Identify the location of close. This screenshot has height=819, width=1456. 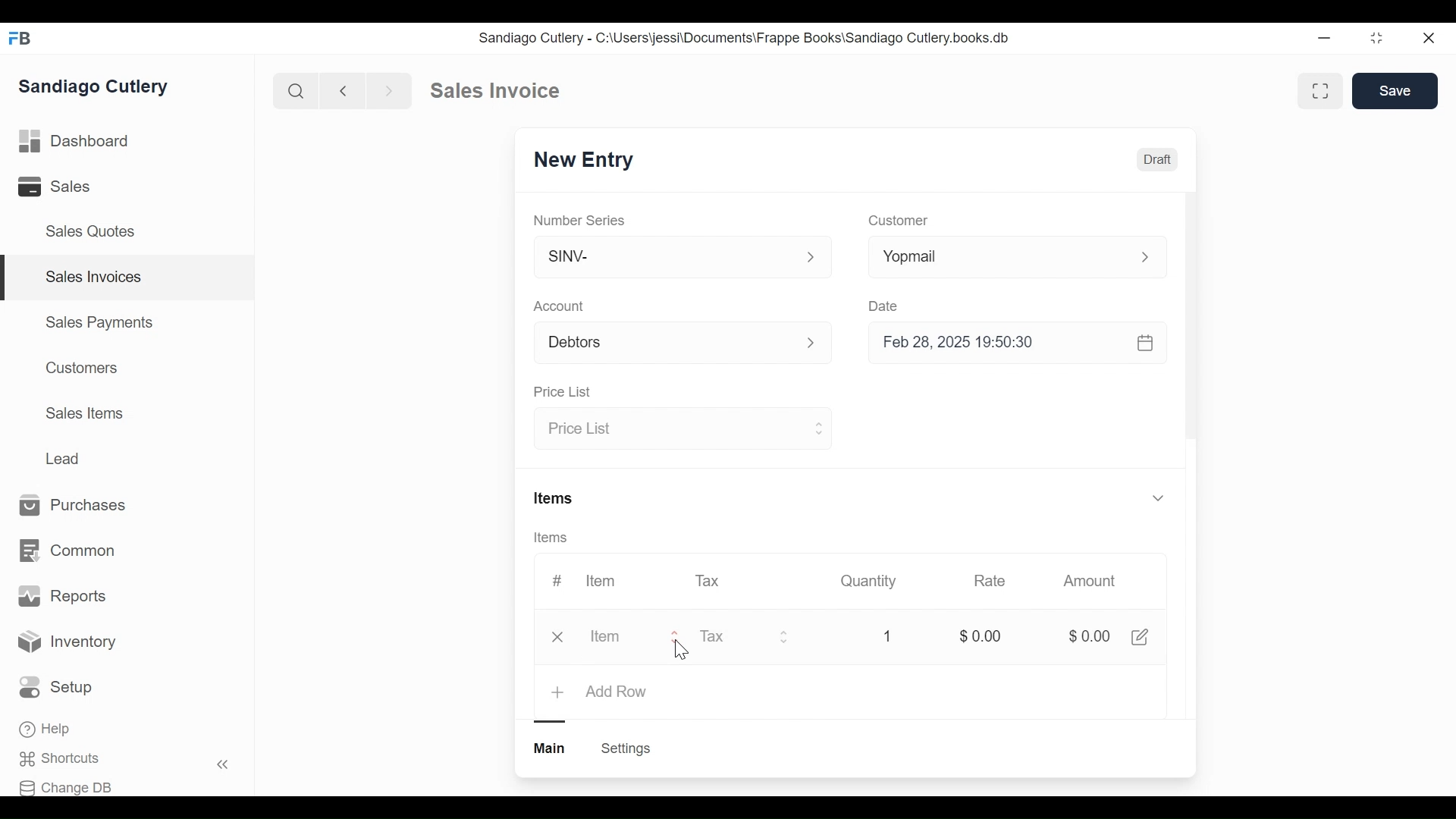
(1430, 39).